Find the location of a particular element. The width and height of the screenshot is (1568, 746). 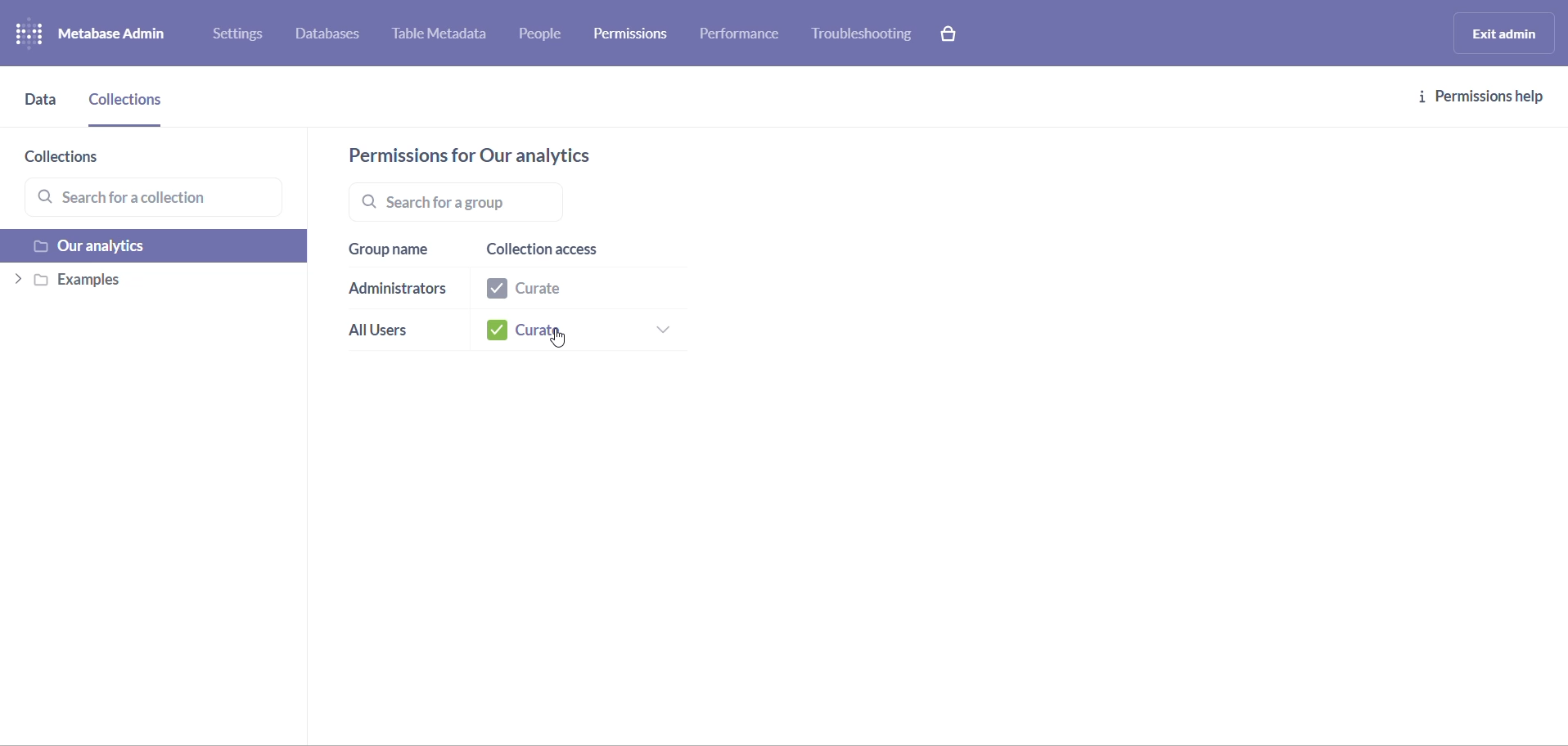

administrators group is located at coordinates (399, 291).